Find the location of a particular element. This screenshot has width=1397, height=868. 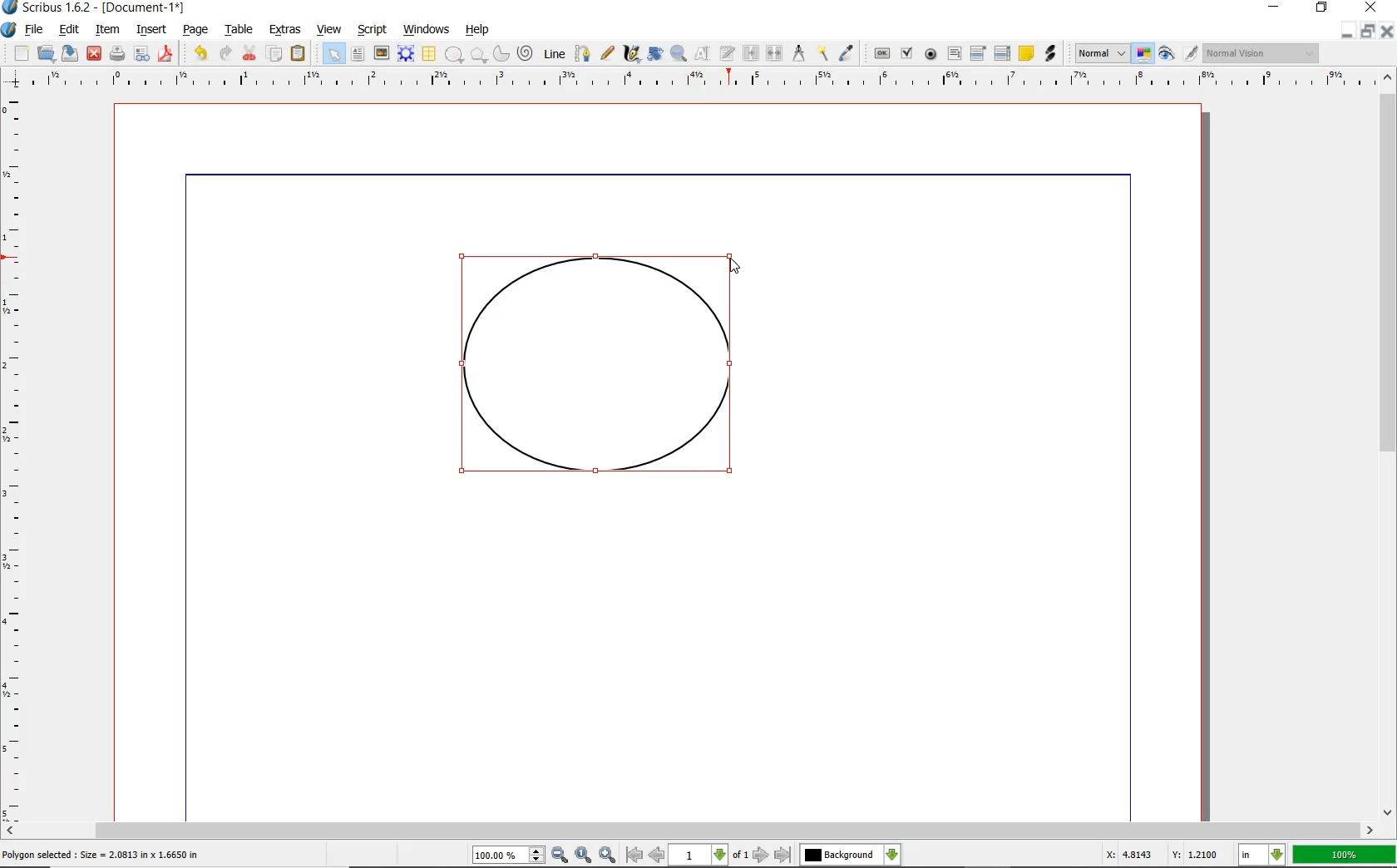

SAVE is located at coordinates (70, 53).